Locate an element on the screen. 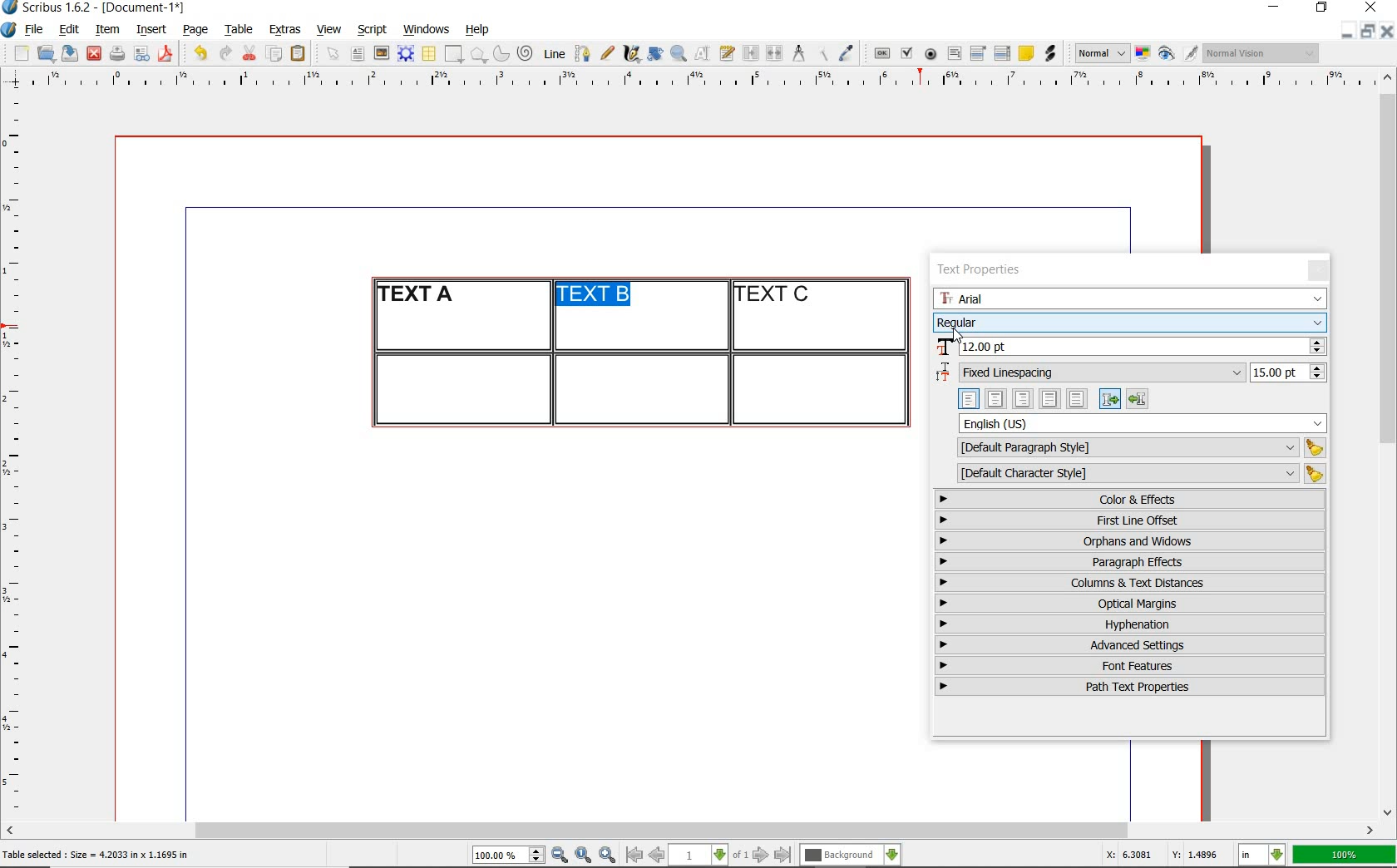 The height and width of the screenshot is (868, 1397). X: 6.3081 Y: 1.4896 is located at coordinates (1165, 855).